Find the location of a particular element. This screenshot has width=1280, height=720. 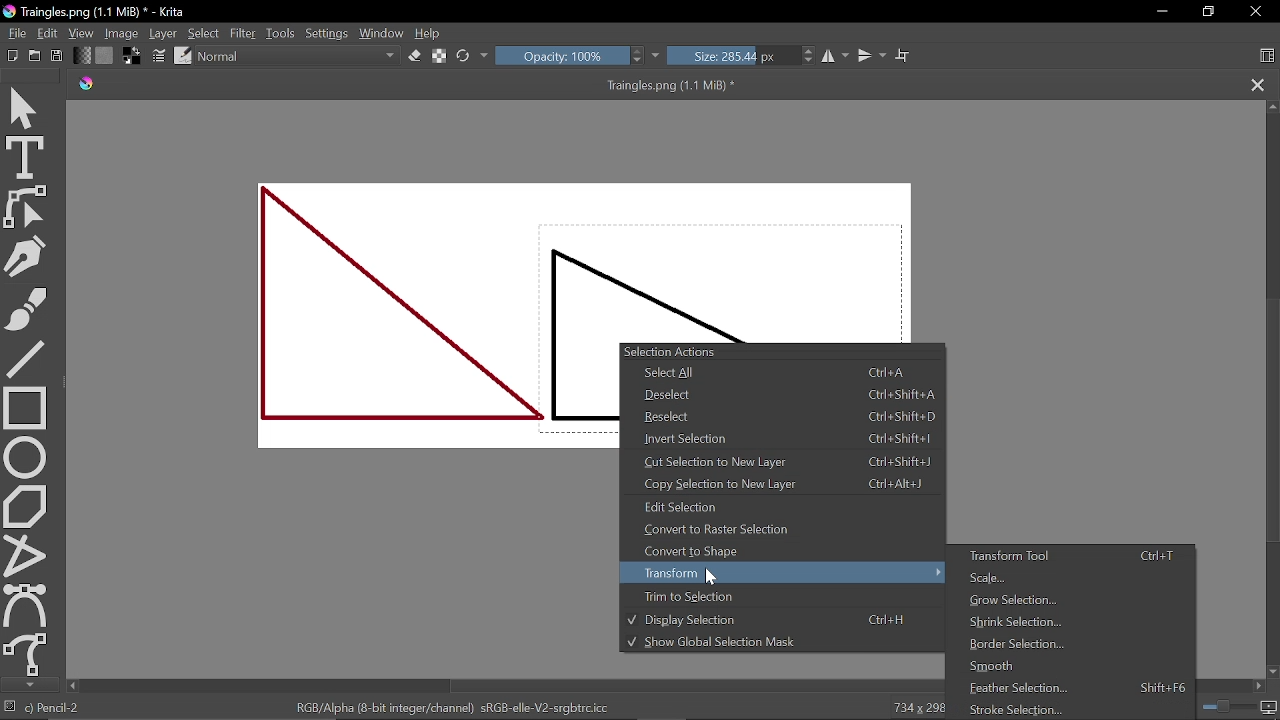

Filter is located at coordinates (243, 33).